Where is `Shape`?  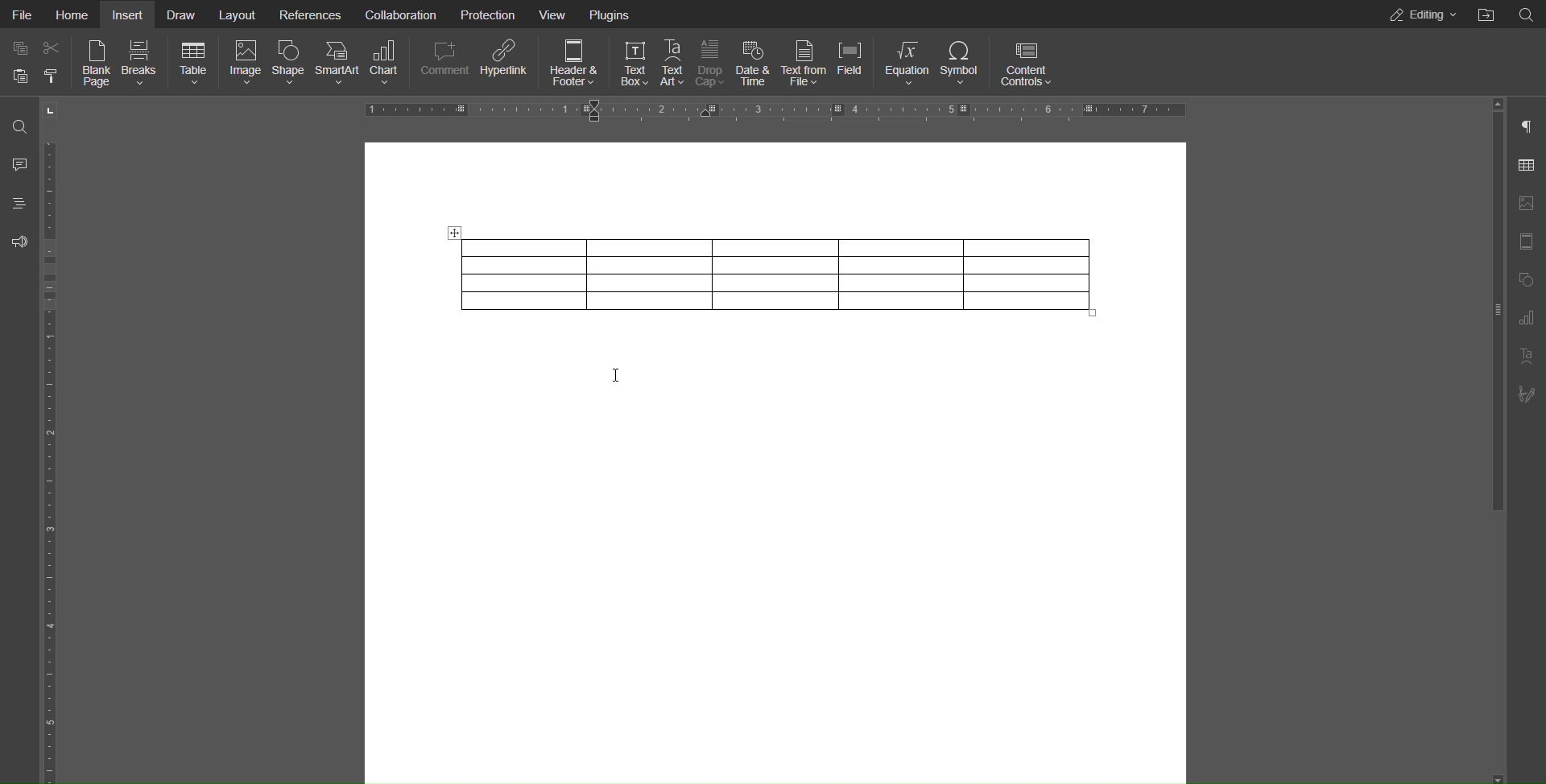
Shape is located at coordinates (293, 64).